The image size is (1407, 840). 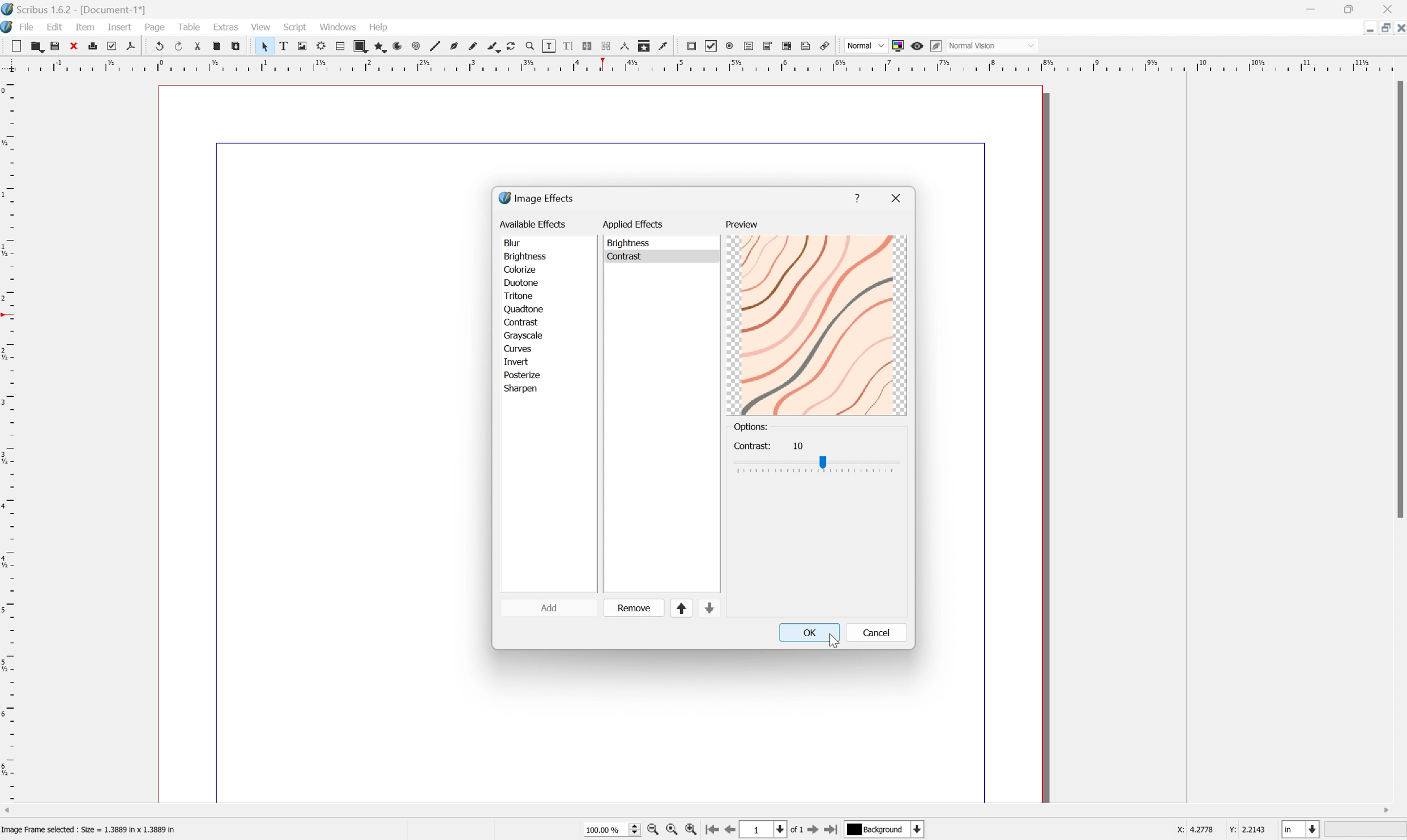 What do you see at coordinates (917, 46) in the screenshot?
I see `Preview mode` at bounding box center [917, 46].